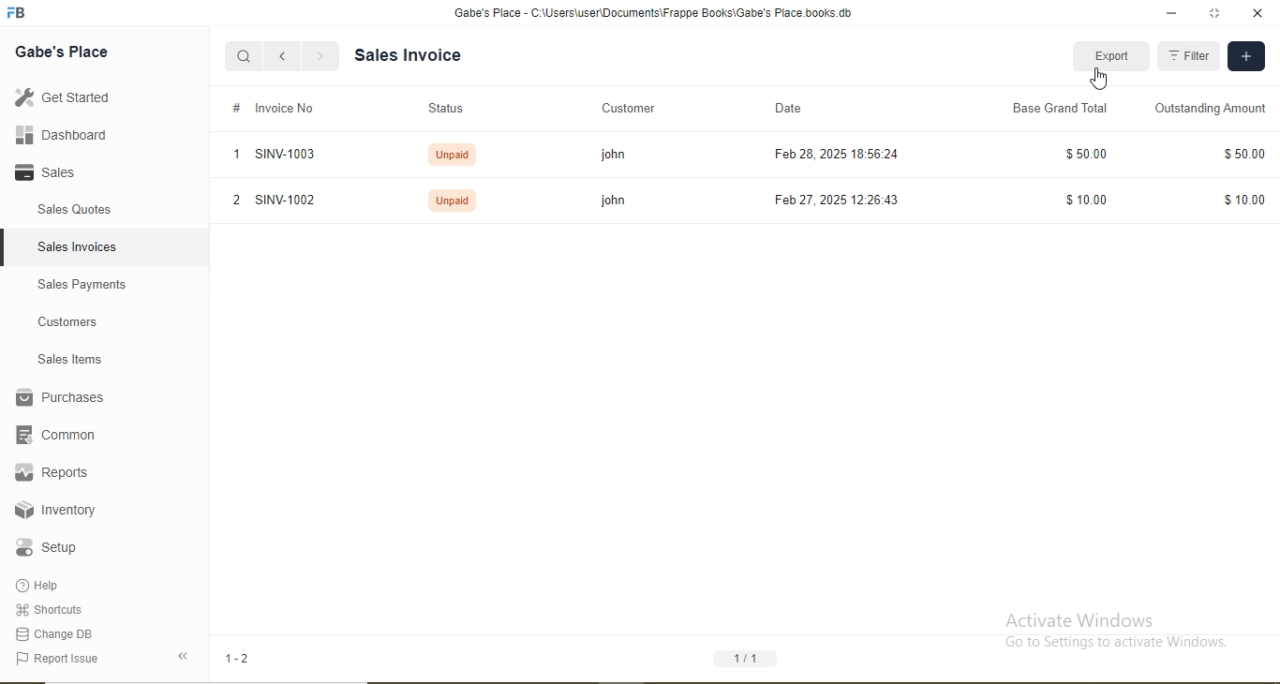 The width and height of the screenshot is (1280, 684). What do you see at coordinates (1052, 107) in the screenshot?
I see `Base Grand Total` at bounding box center [1052, 107].